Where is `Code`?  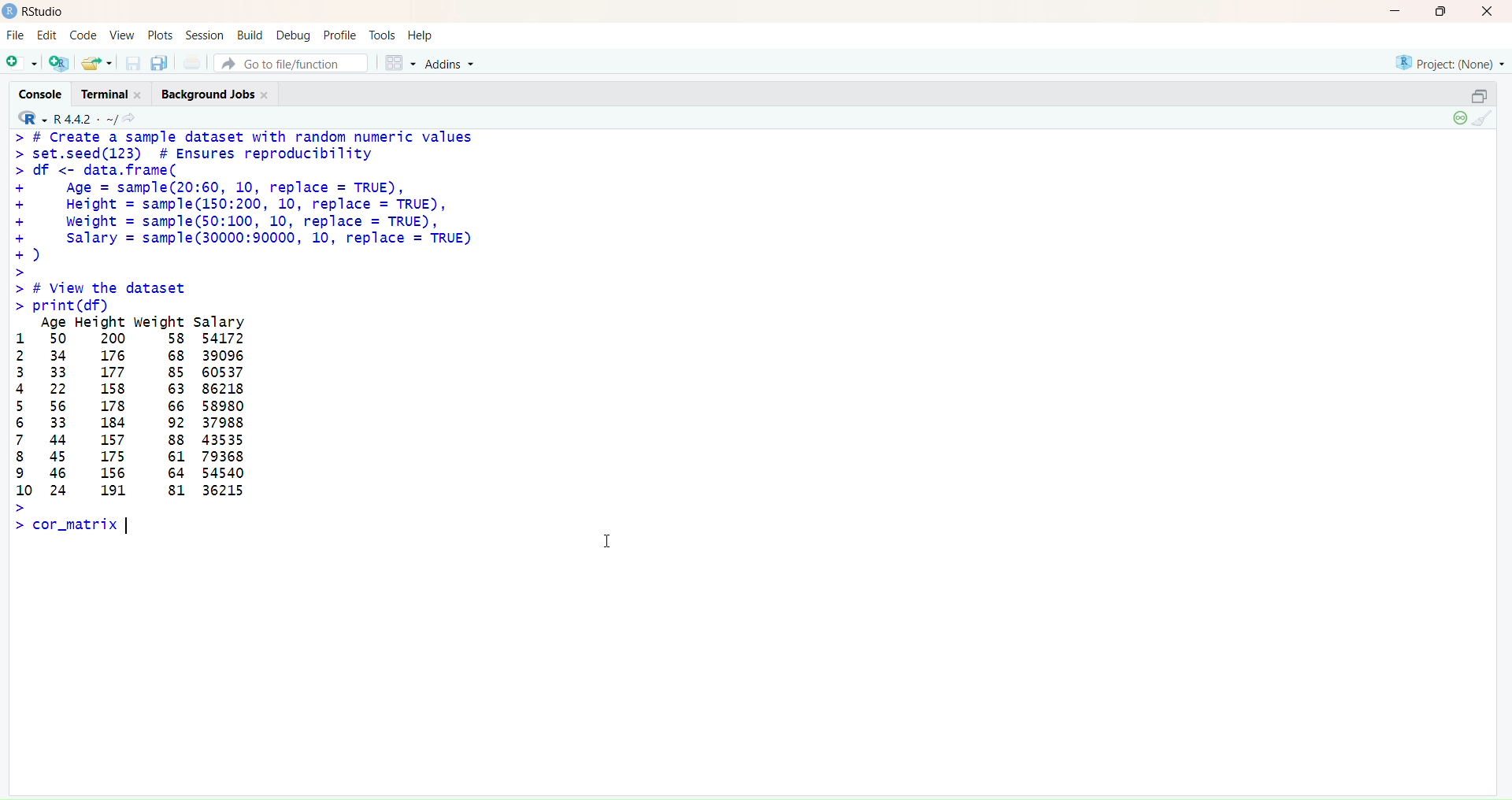 Code is located at coordinates (82, 36).